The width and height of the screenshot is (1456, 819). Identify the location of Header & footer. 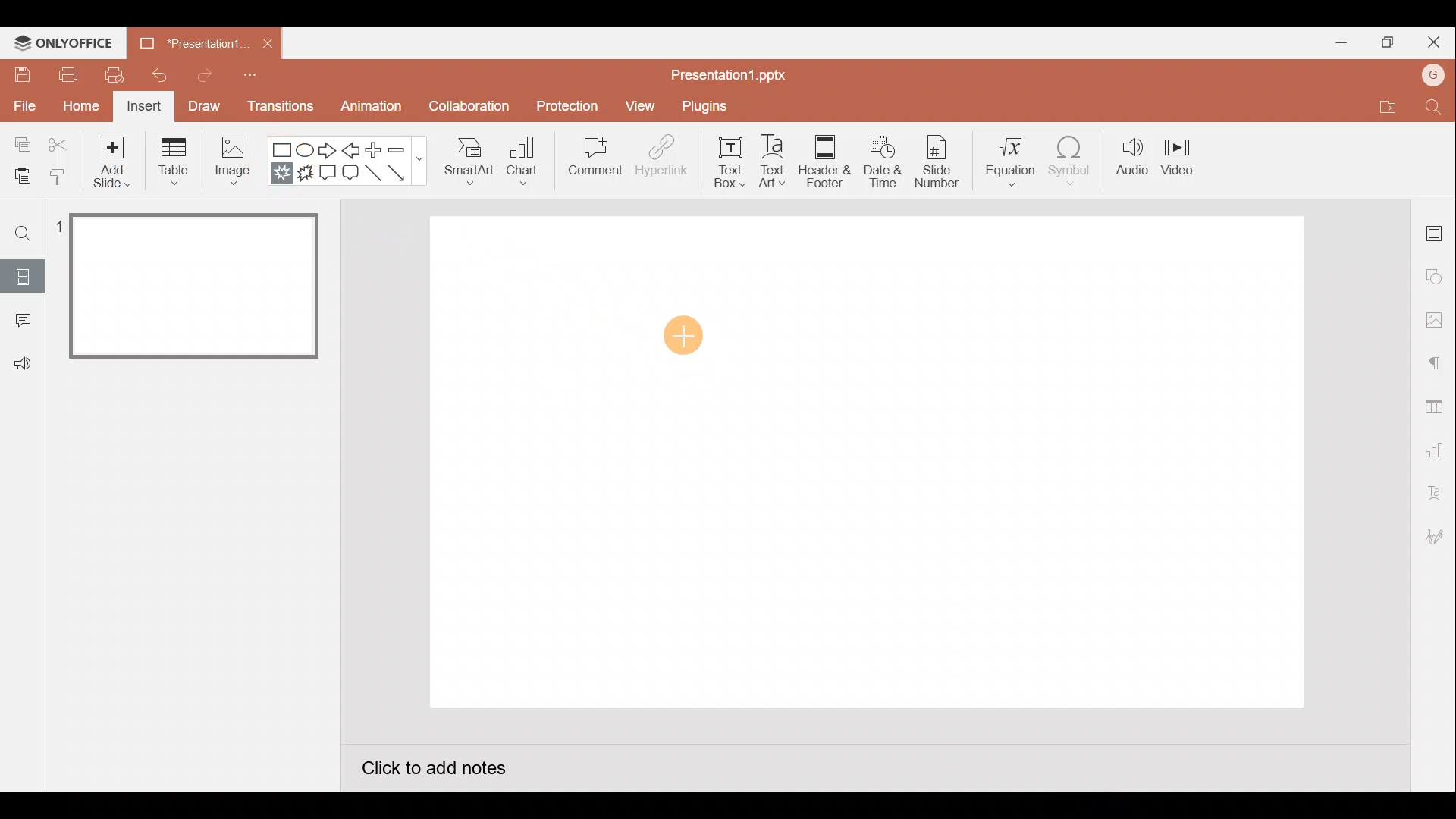
(824, 162).